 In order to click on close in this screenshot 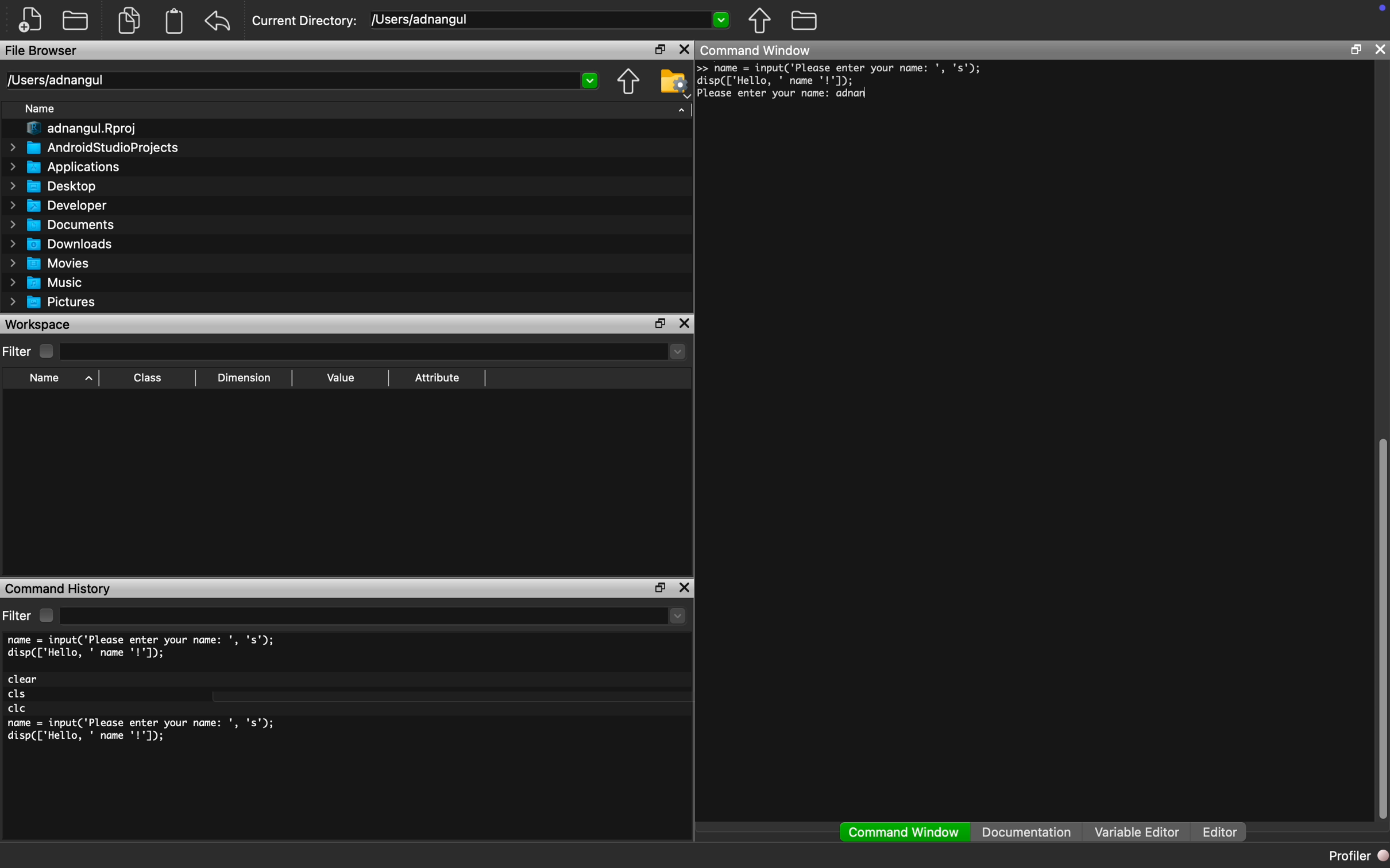, I will do `click(686, 49)`.